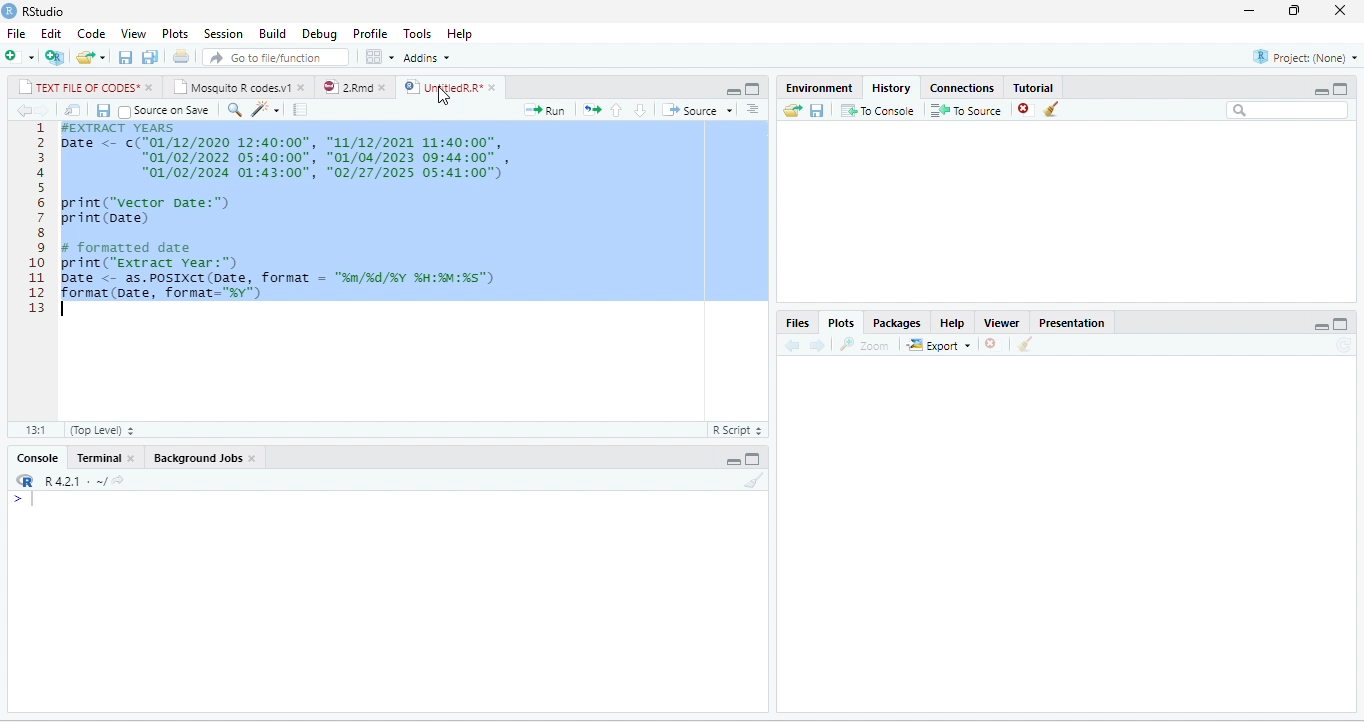  Describe the element at coordinates (103, 110) in the screenshot. I see `save` at that location.